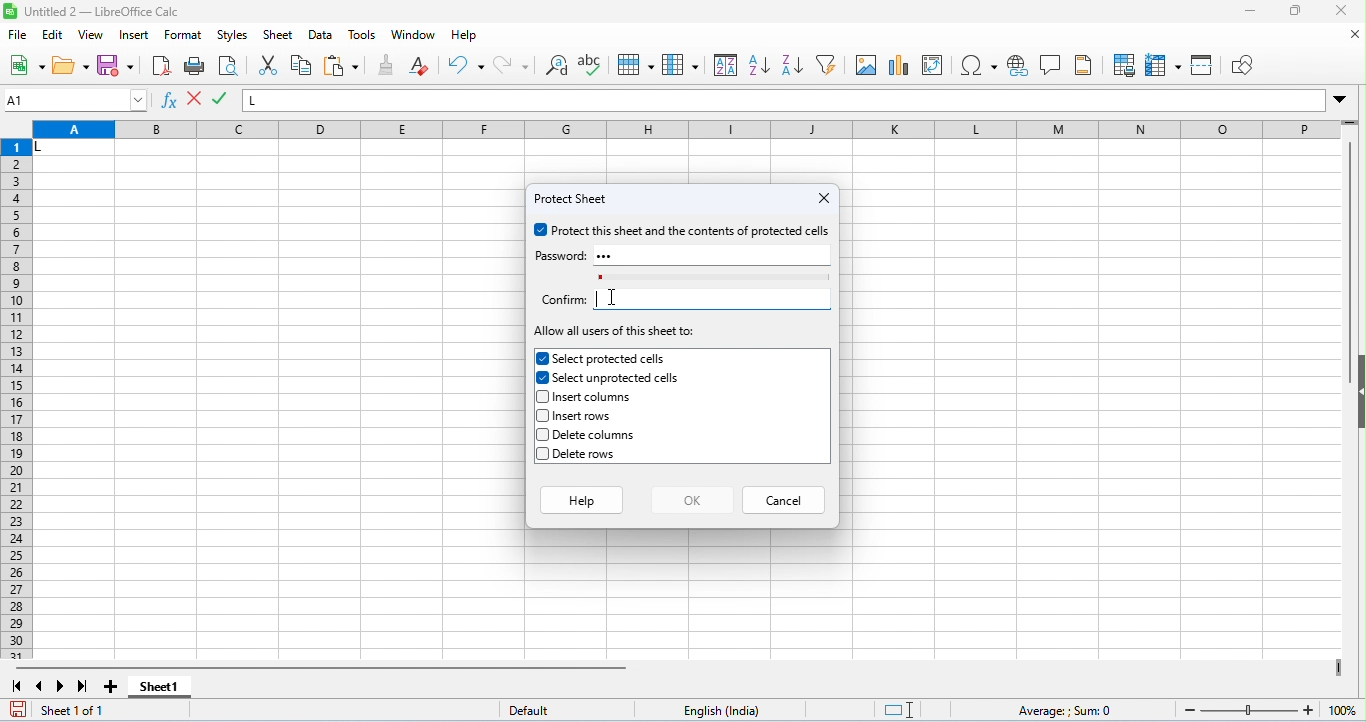 Image resolution: width=1366 pixels, height=722 pixels. Describe the element at coordinates (979, 65) in the screenshot. I see `insert special characters` at that location.